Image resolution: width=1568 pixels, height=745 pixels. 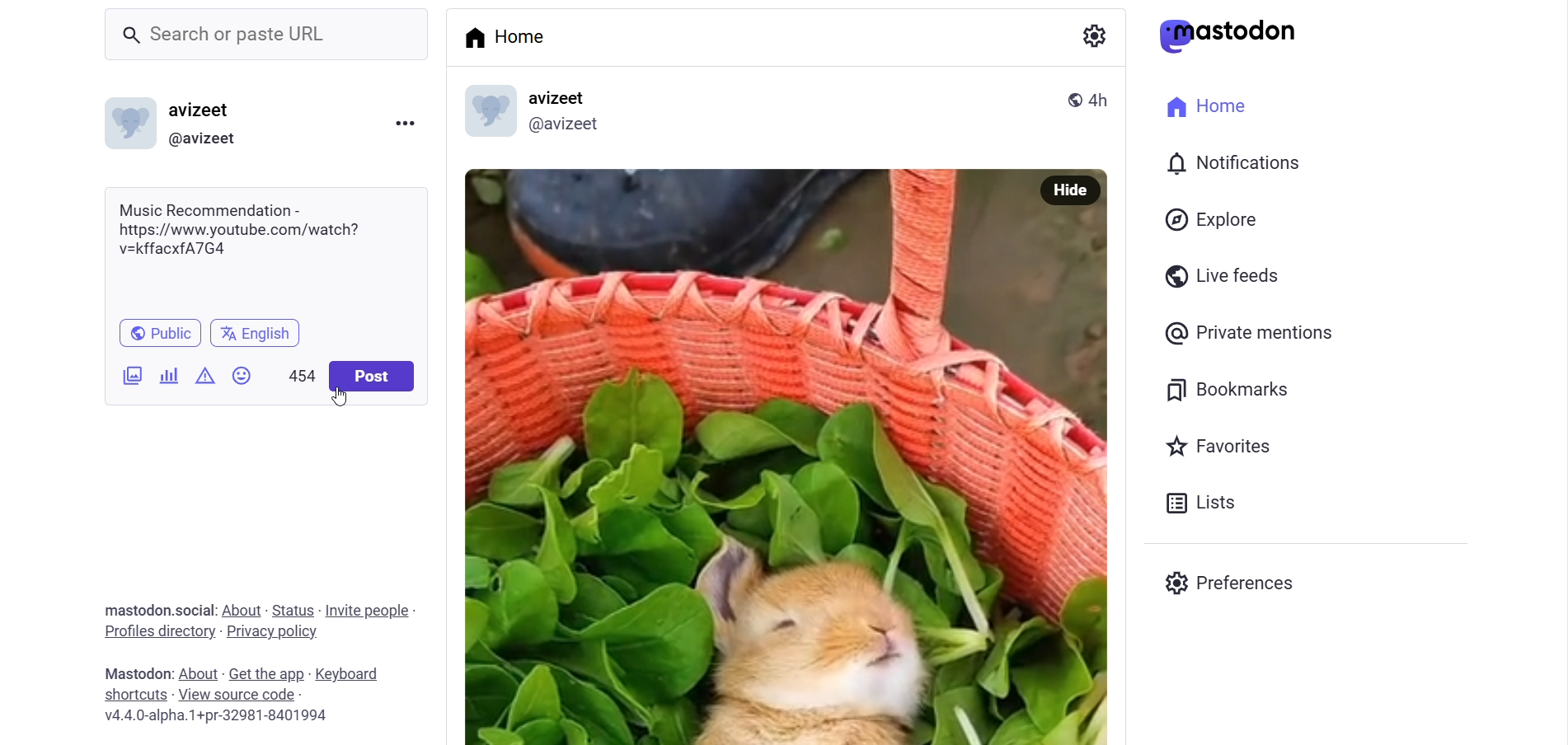 I want to click on mastodon, so click(x=1229, y=35).